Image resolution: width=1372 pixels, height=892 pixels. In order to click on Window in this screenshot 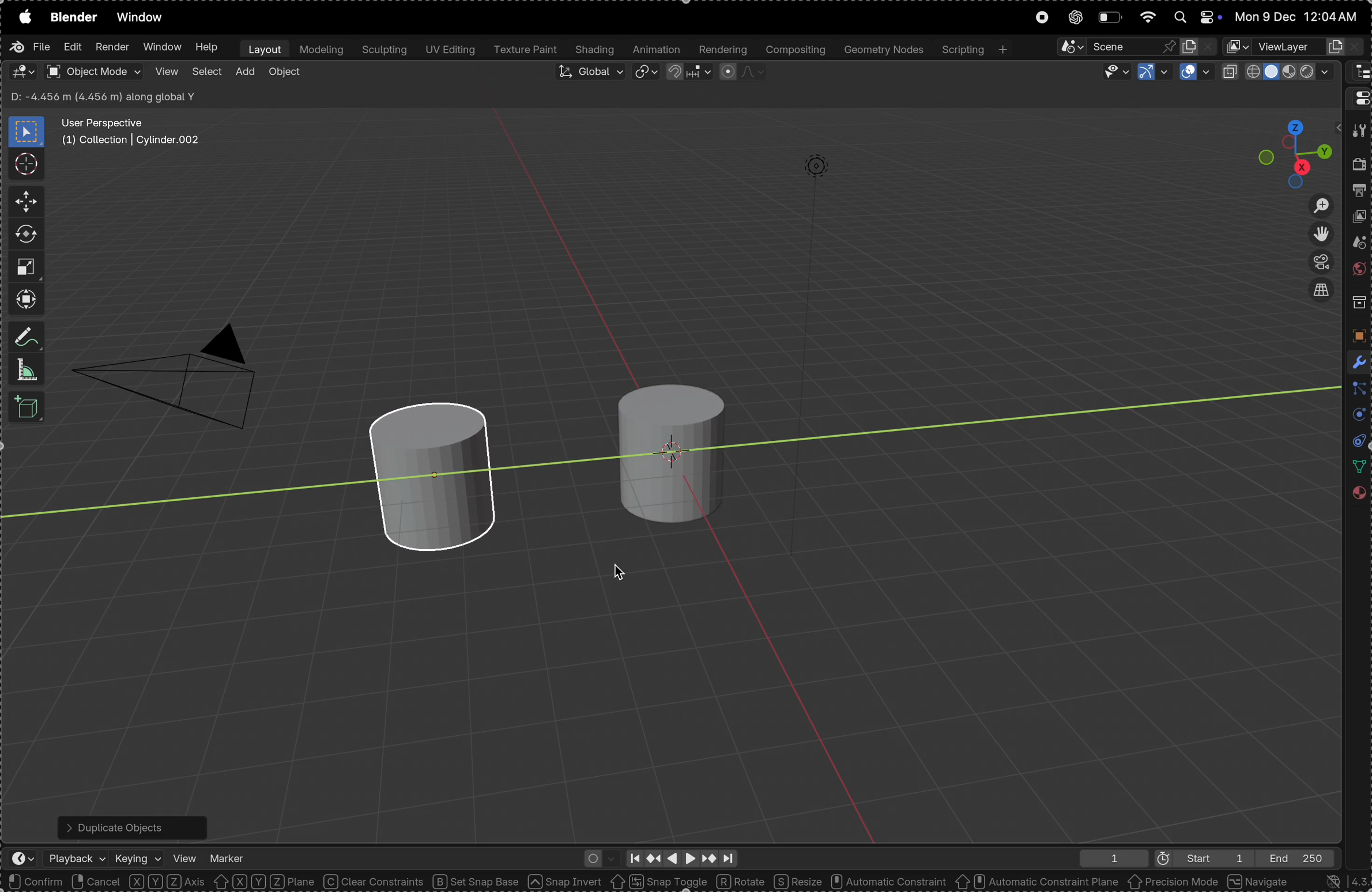, I will do `click(161, 48)`.